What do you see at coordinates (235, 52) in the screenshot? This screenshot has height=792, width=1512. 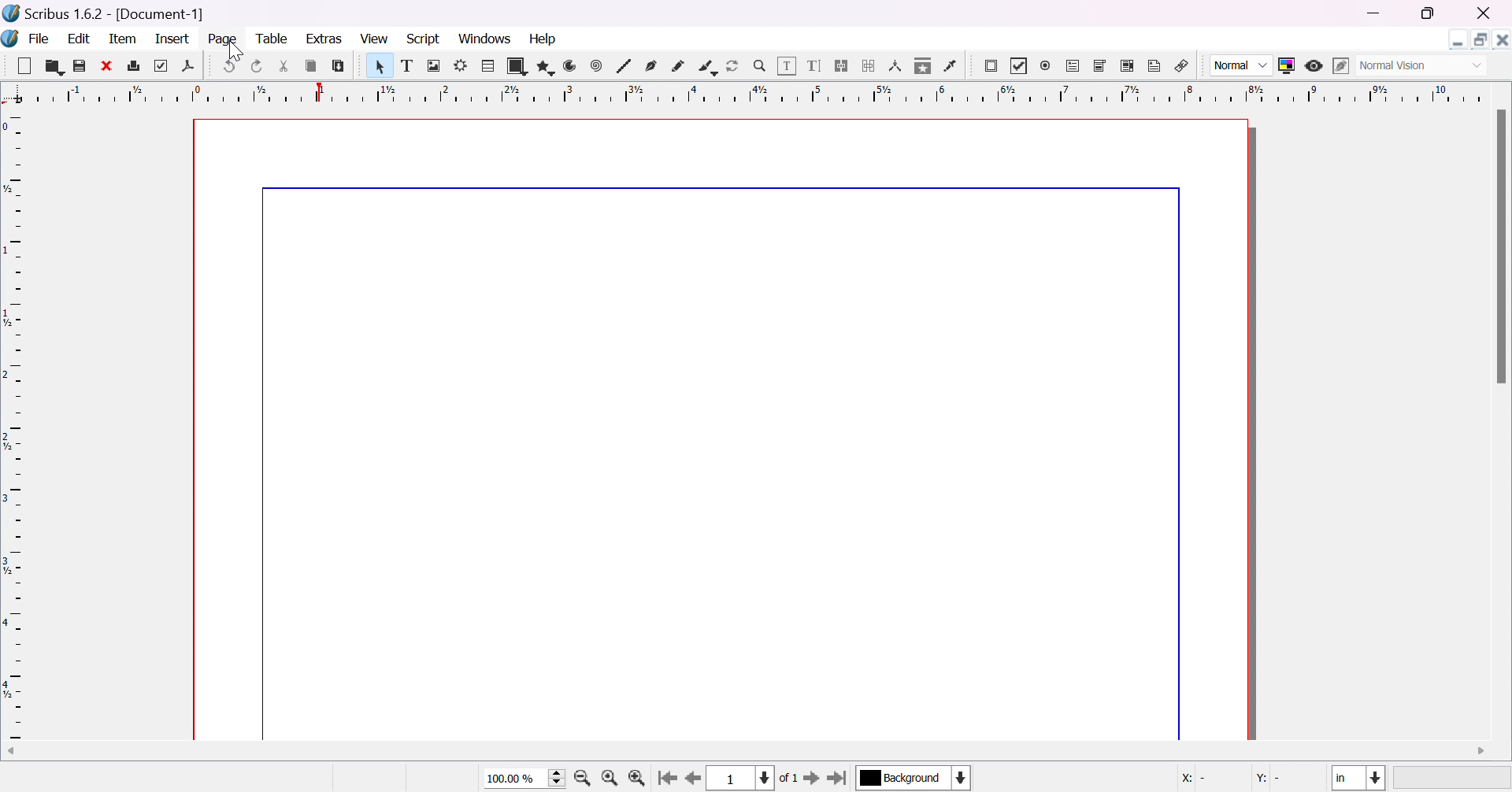 I see `cursor` at bounding box center [235, 52].